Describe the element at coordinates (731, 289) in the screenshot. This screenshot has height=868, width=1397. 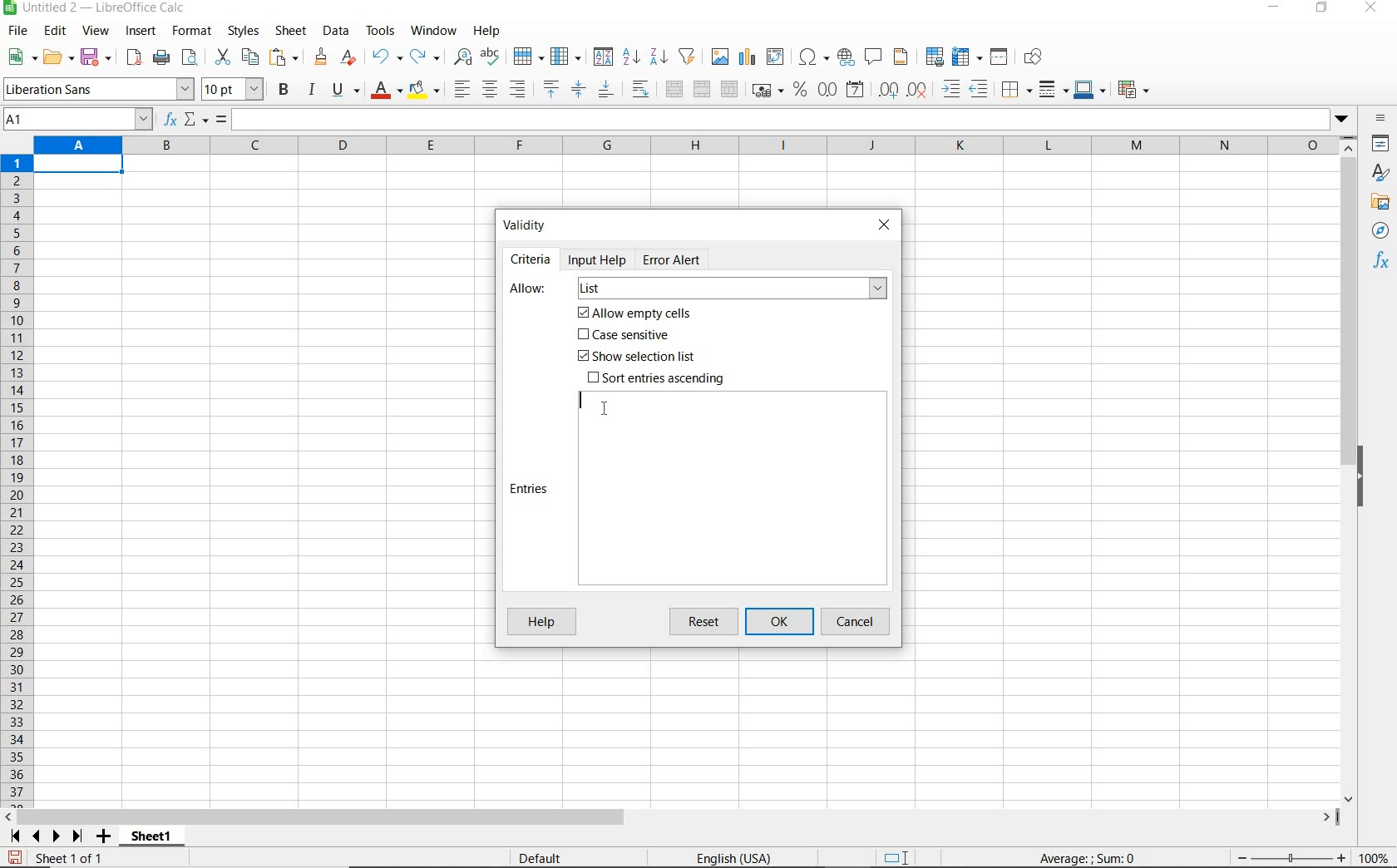
I see `list` at that location.